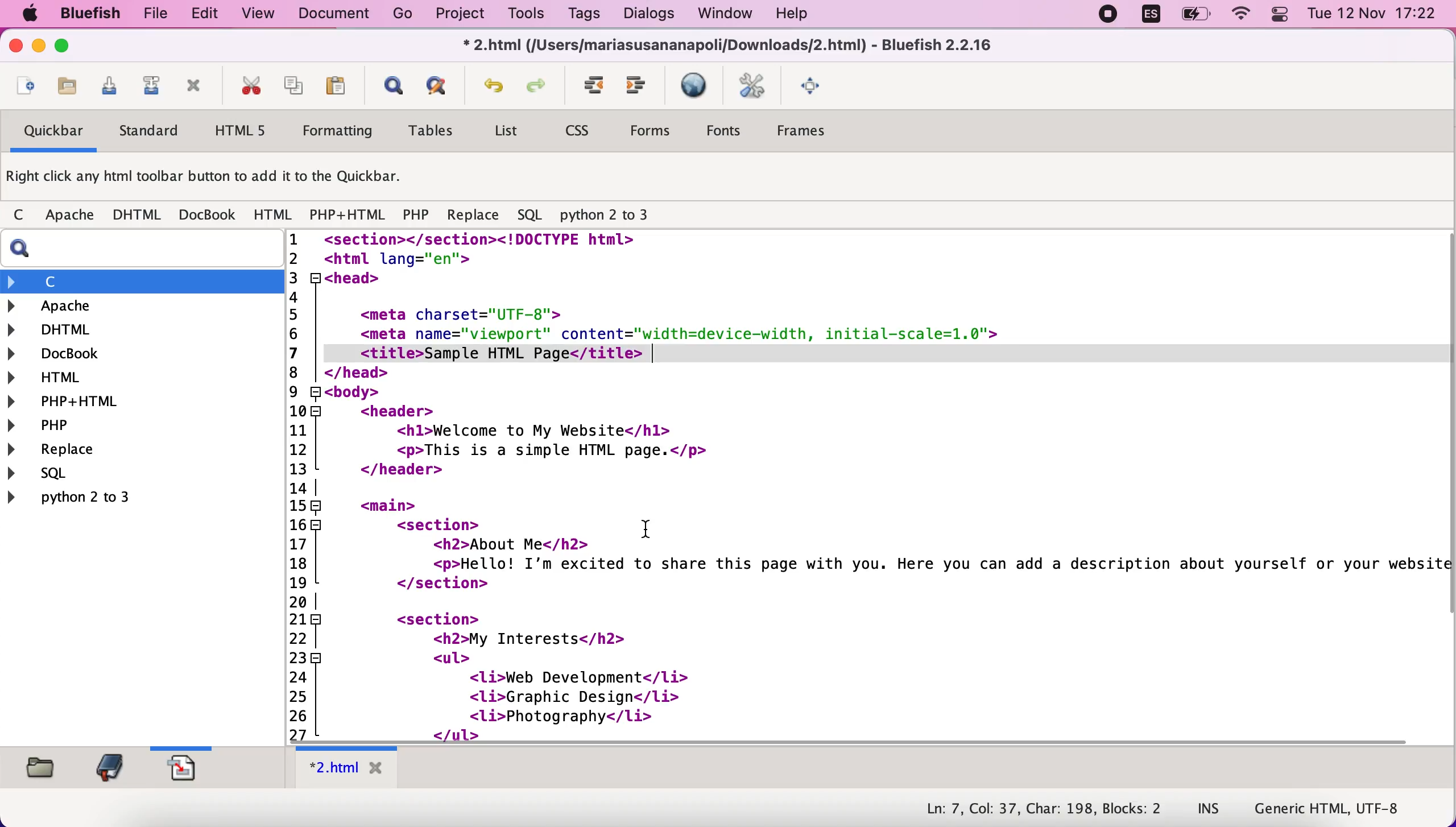 This screenshot has width=1456, height=827. What do you see at coordinates (698, 86) in the screenshot?
I see `Preview in browser` at bounding box center [698, 86].